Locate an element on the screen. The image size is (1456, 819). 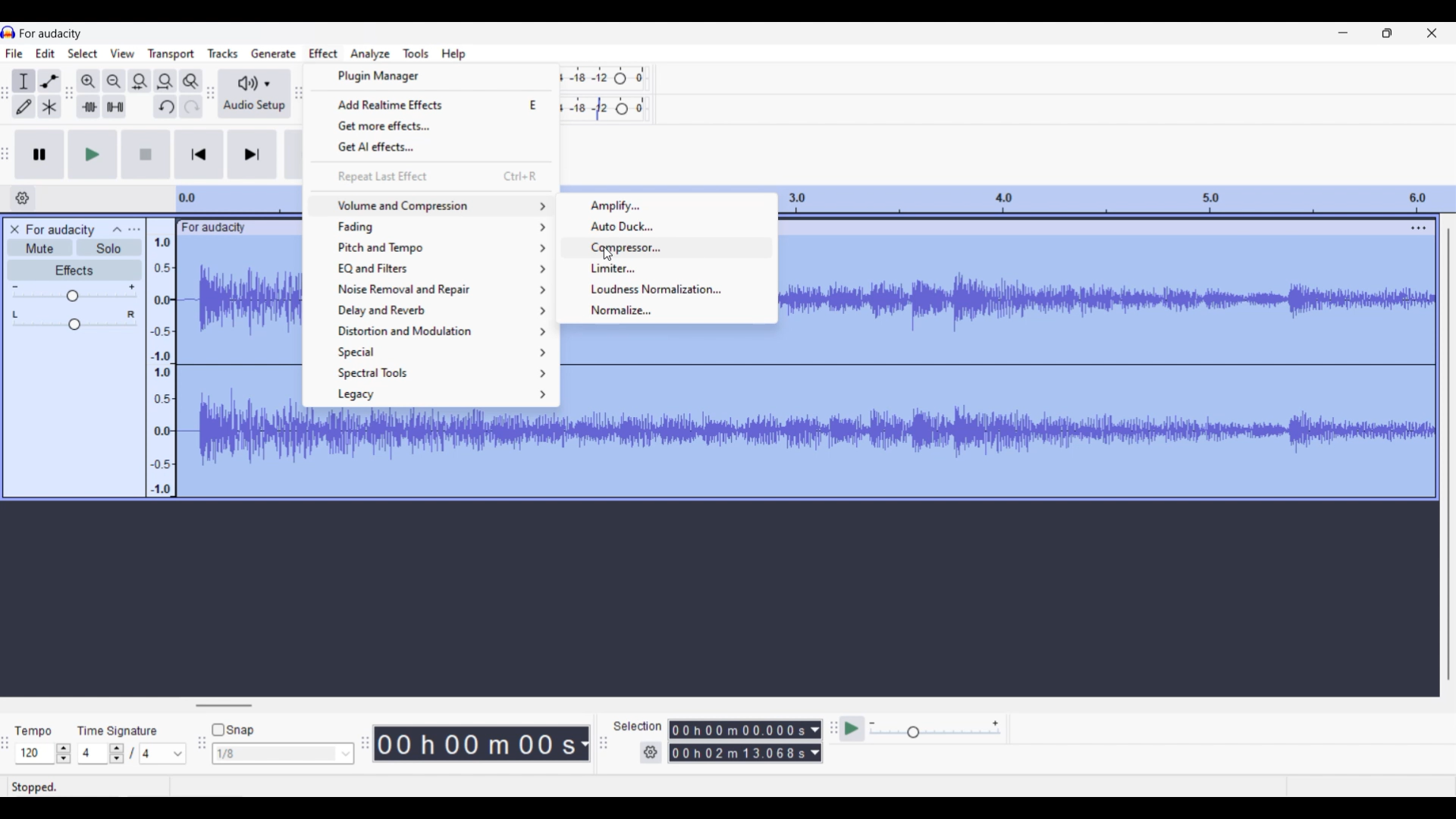
Multi tool is located at coordinates (49, 106).